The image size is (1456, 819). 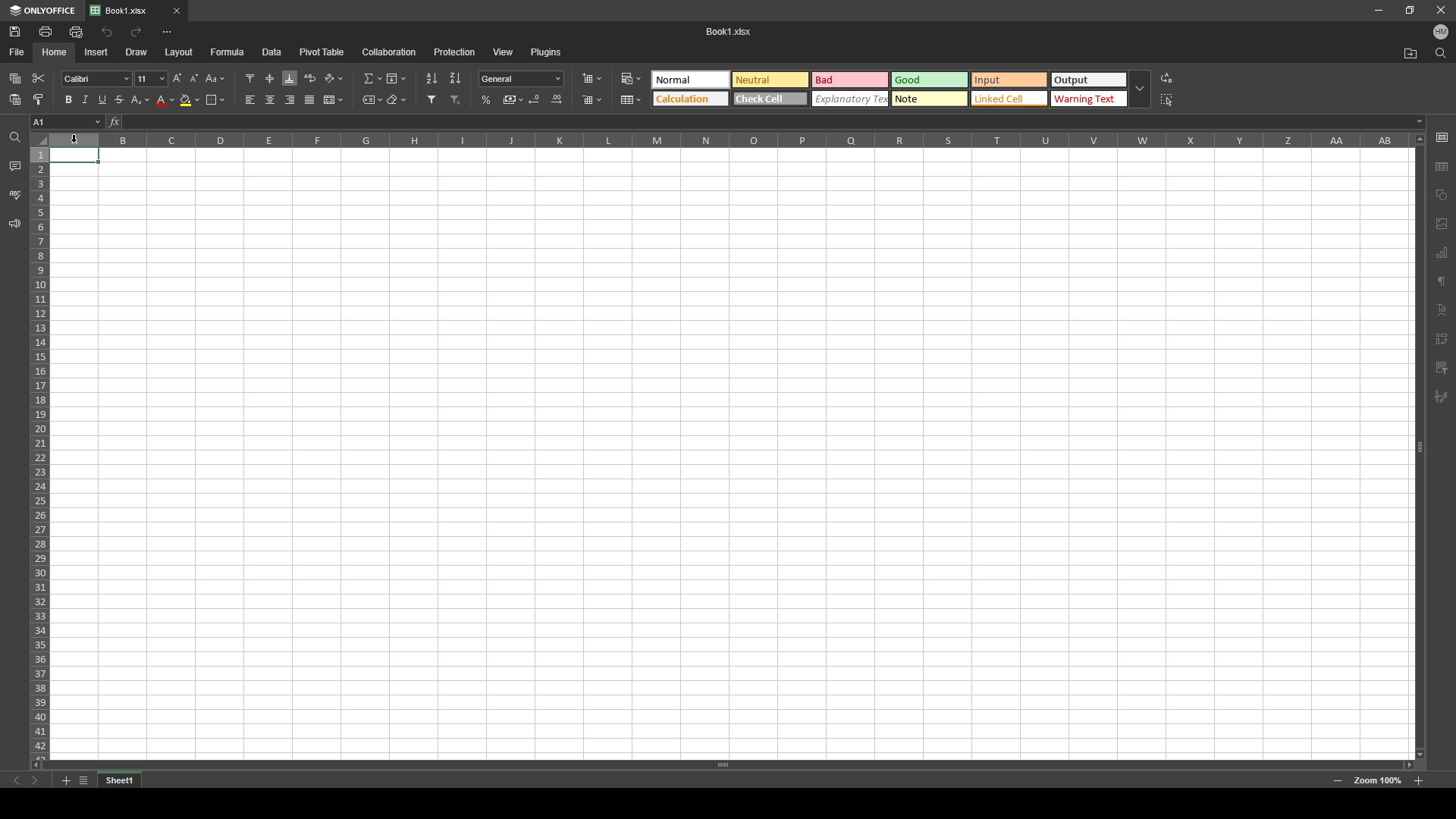 I want to click on view, so click(x=504, y=52).